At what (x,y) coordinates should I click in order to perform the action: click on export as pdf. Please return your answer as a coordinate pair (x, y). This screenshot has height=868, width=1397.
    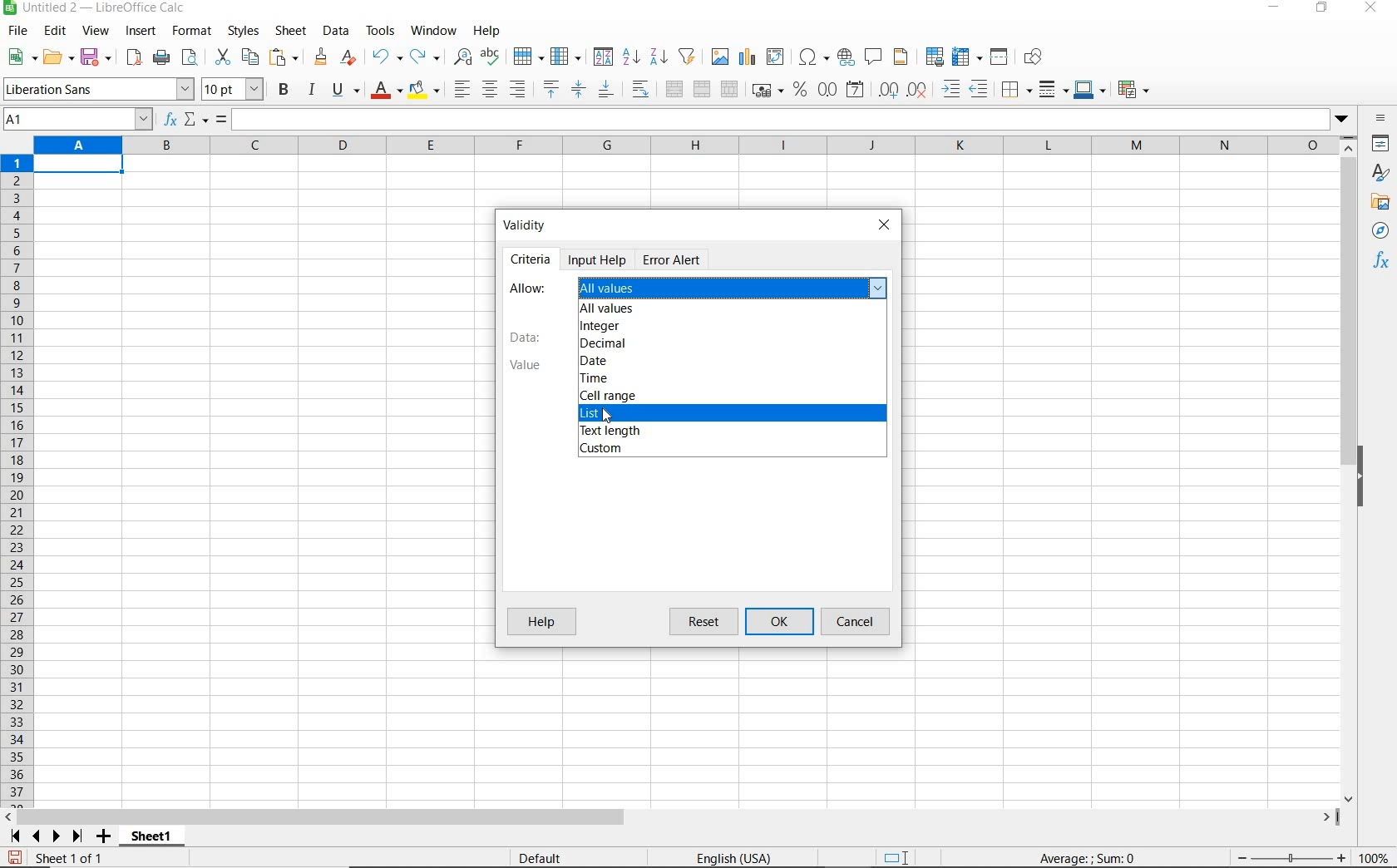
    Looking at the image, I should click on (133, 57).